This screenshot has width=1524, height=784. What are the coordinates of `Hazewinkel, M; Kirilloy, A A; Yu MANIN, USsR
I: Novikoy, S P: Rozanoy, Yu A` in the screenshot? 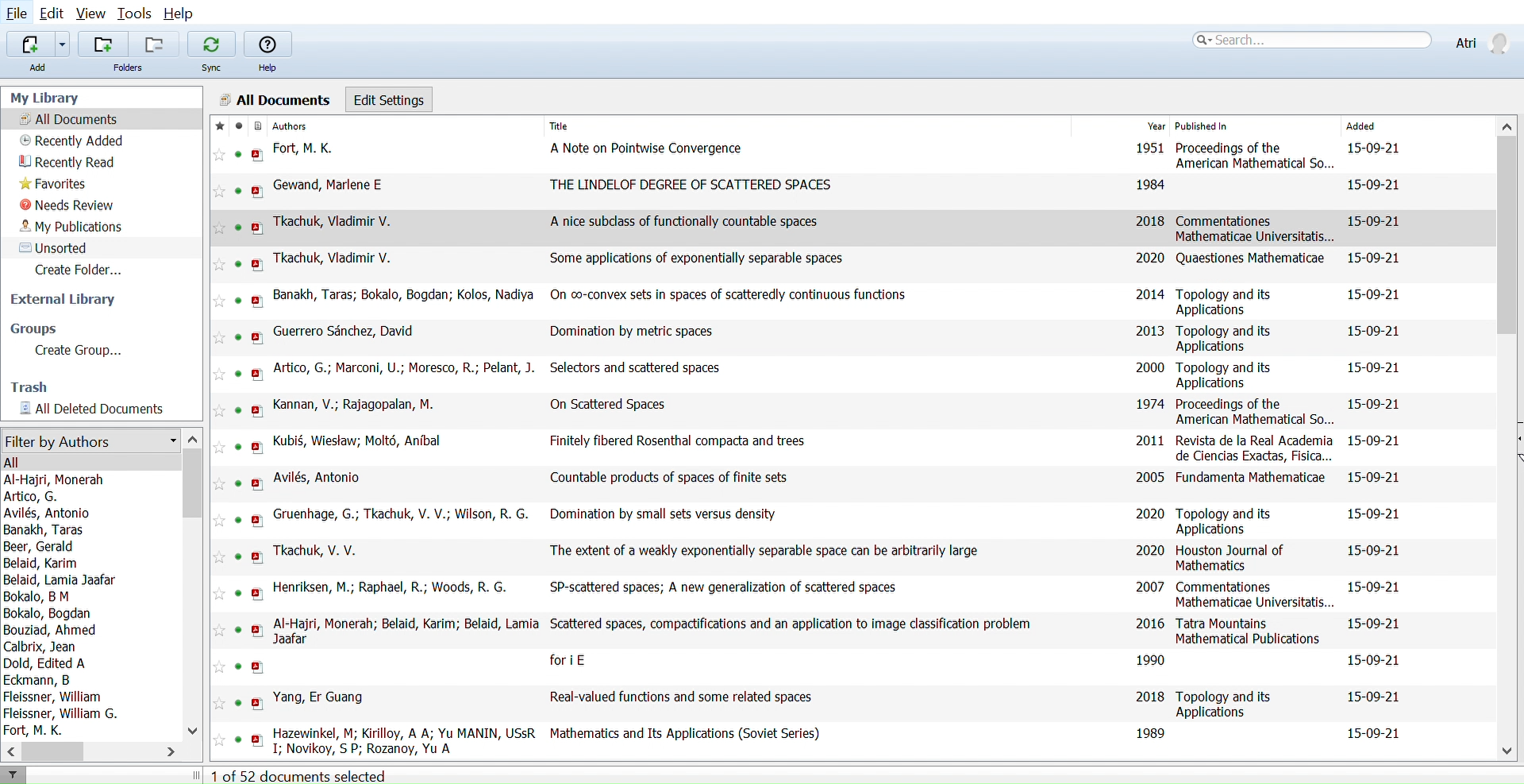 It's located at (404, 739).